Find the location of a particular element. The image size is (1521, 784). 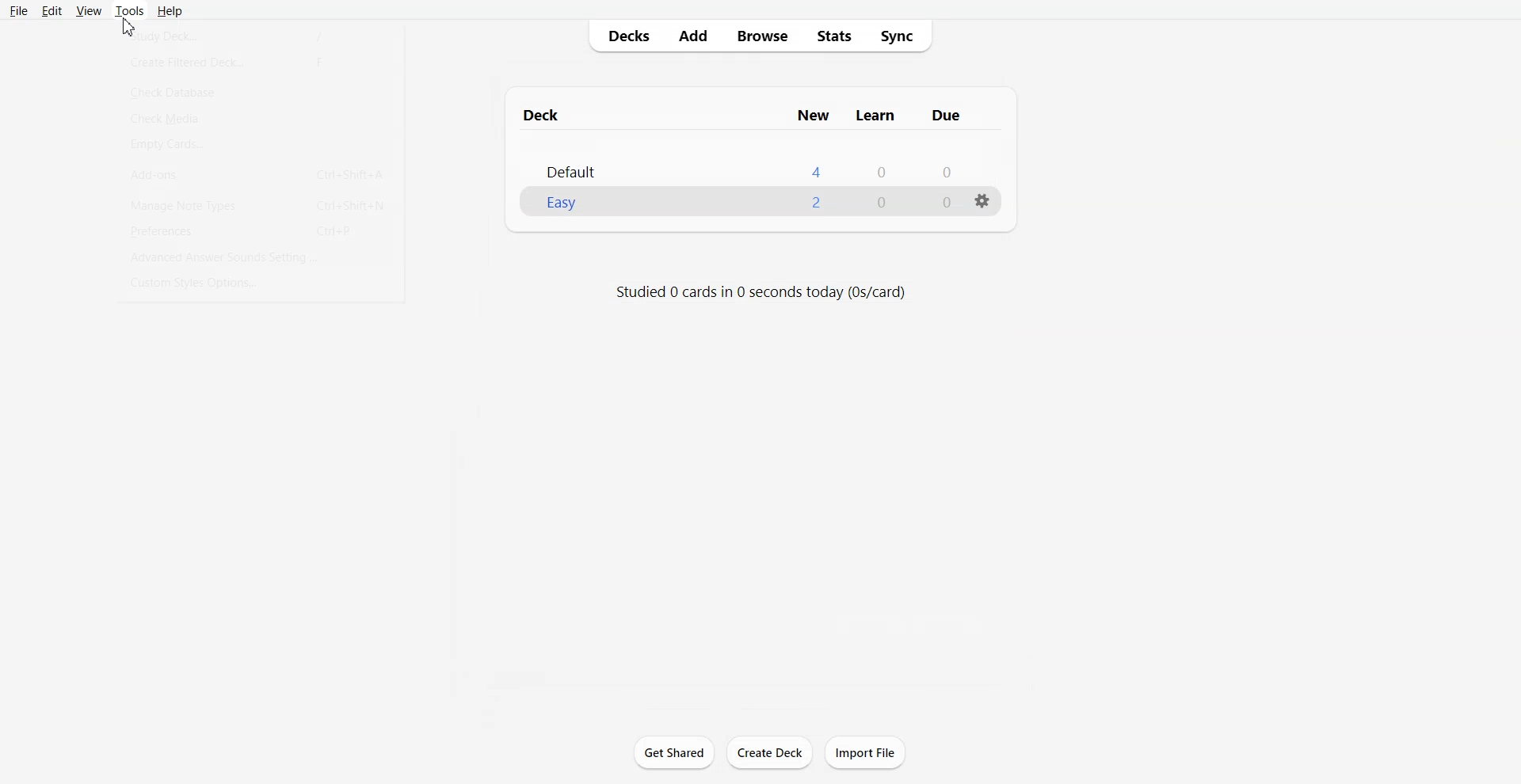

Tools is located at coordinates (129, 10).